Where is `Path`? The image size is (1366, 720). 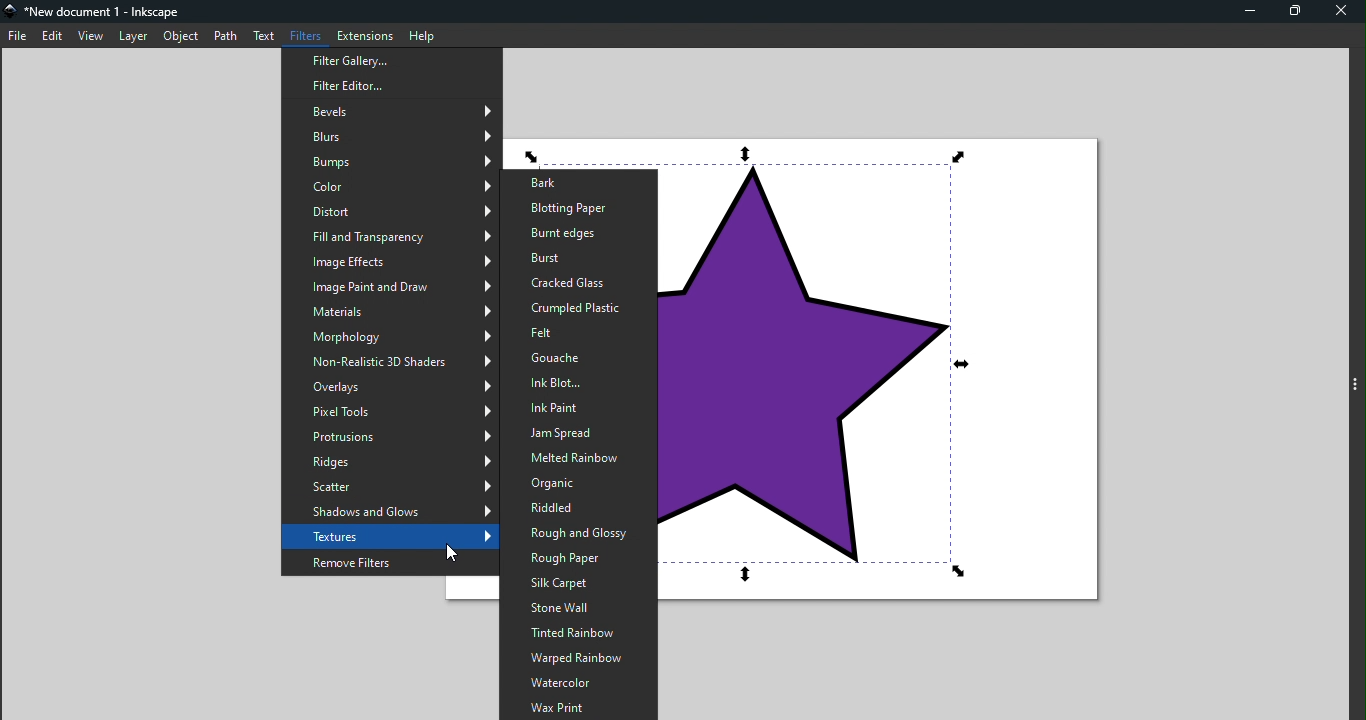 Path is located at coordinates (226, 36).